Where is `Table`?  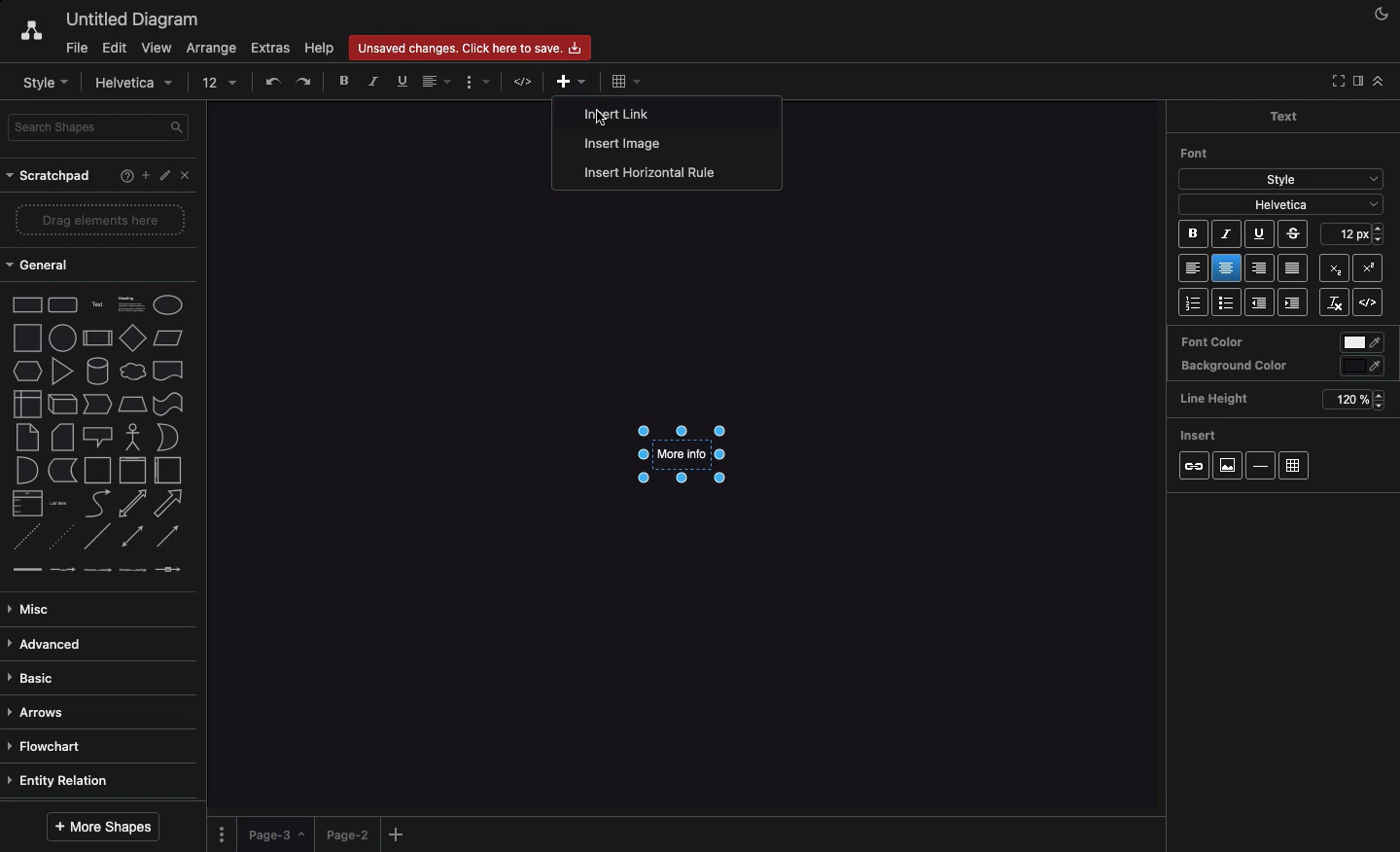
Table is located at coordinates (1294, 467).